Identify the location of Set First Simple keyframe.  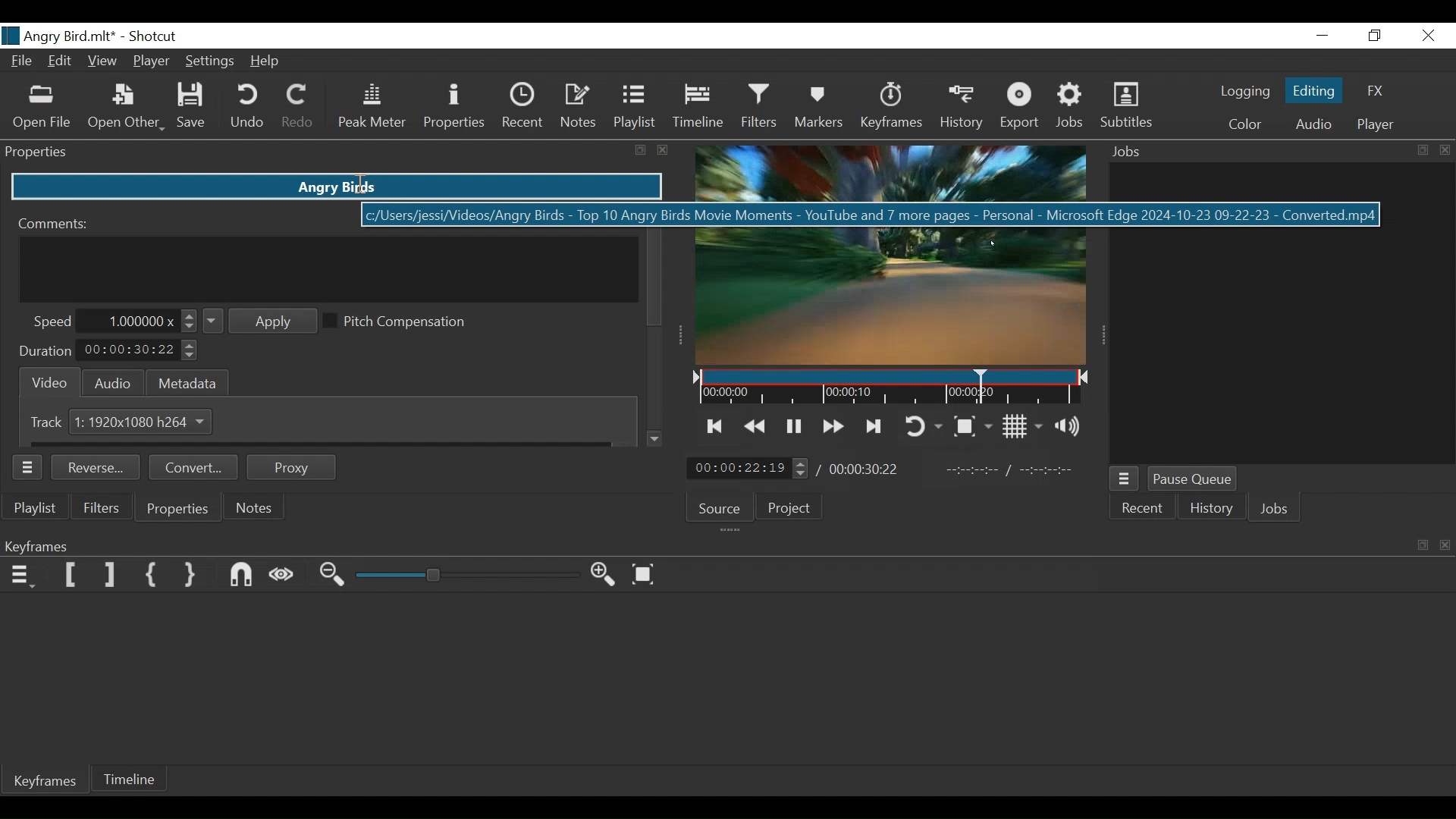
(155, 576).